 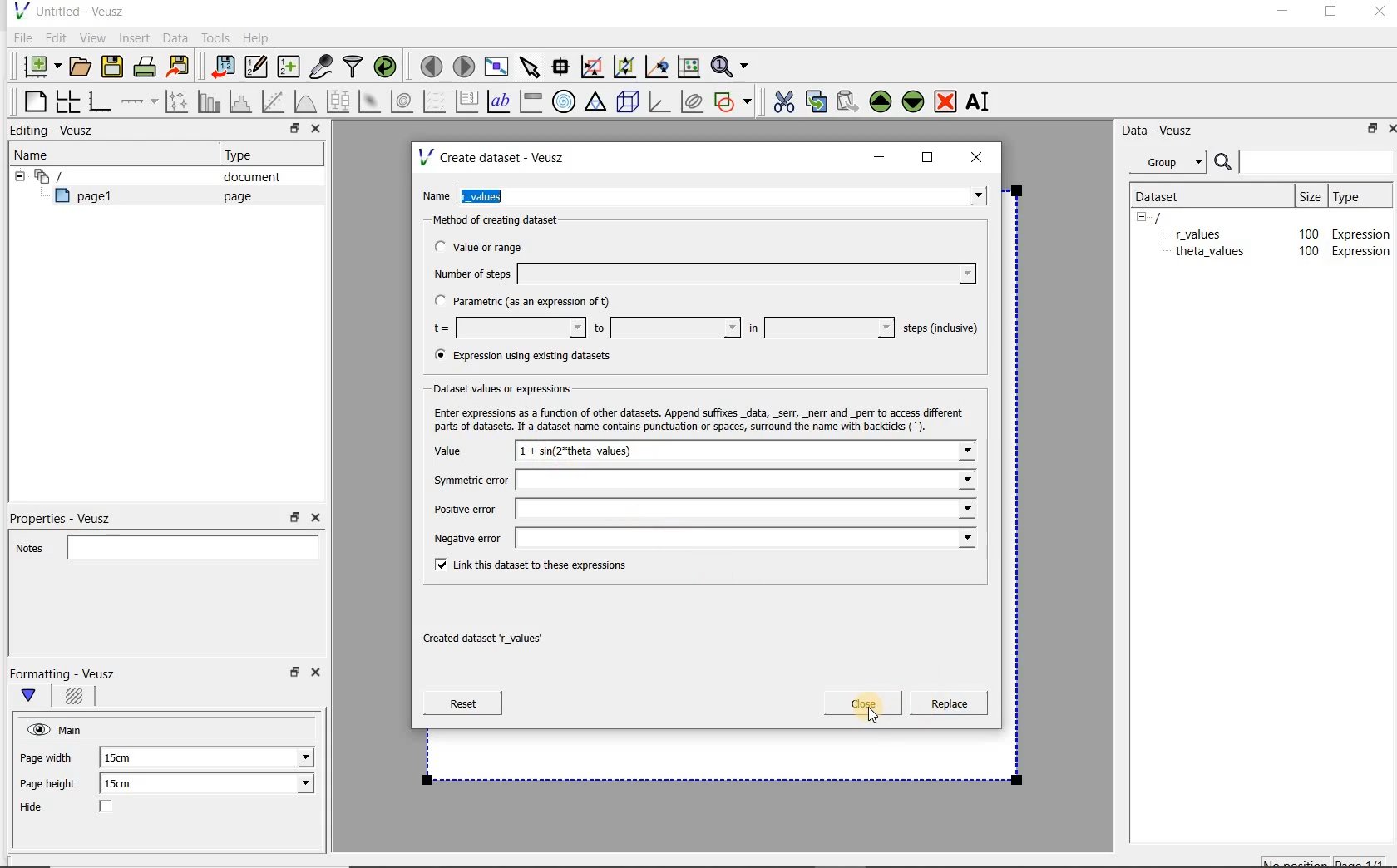 What do you see at coordinates (1378, 14) in the screenshot?
I see `Close` at bounding box center [1378, 14].